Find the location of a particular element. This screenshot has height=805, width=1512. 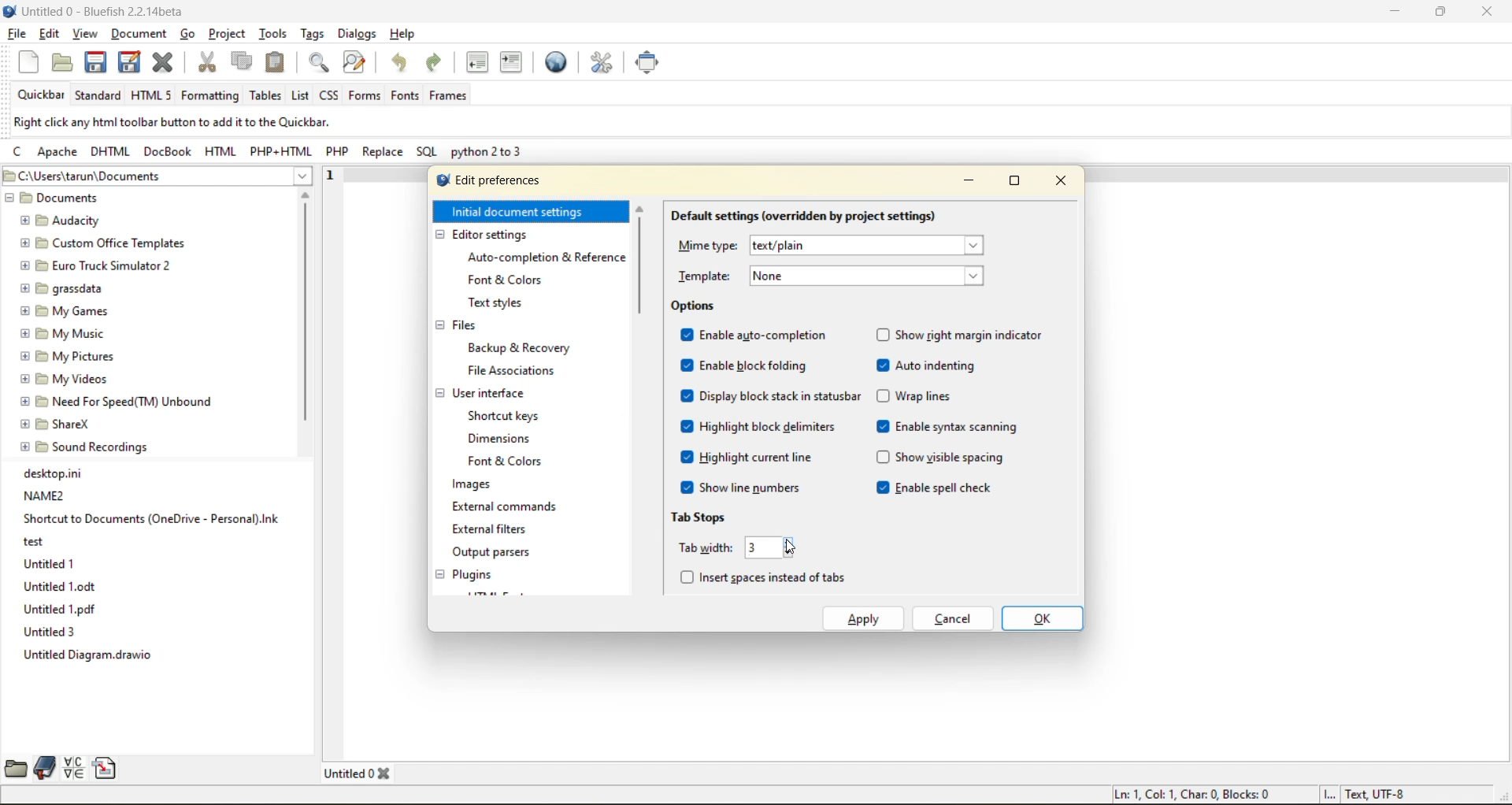

dhtml is located at coordinates (109, 153).